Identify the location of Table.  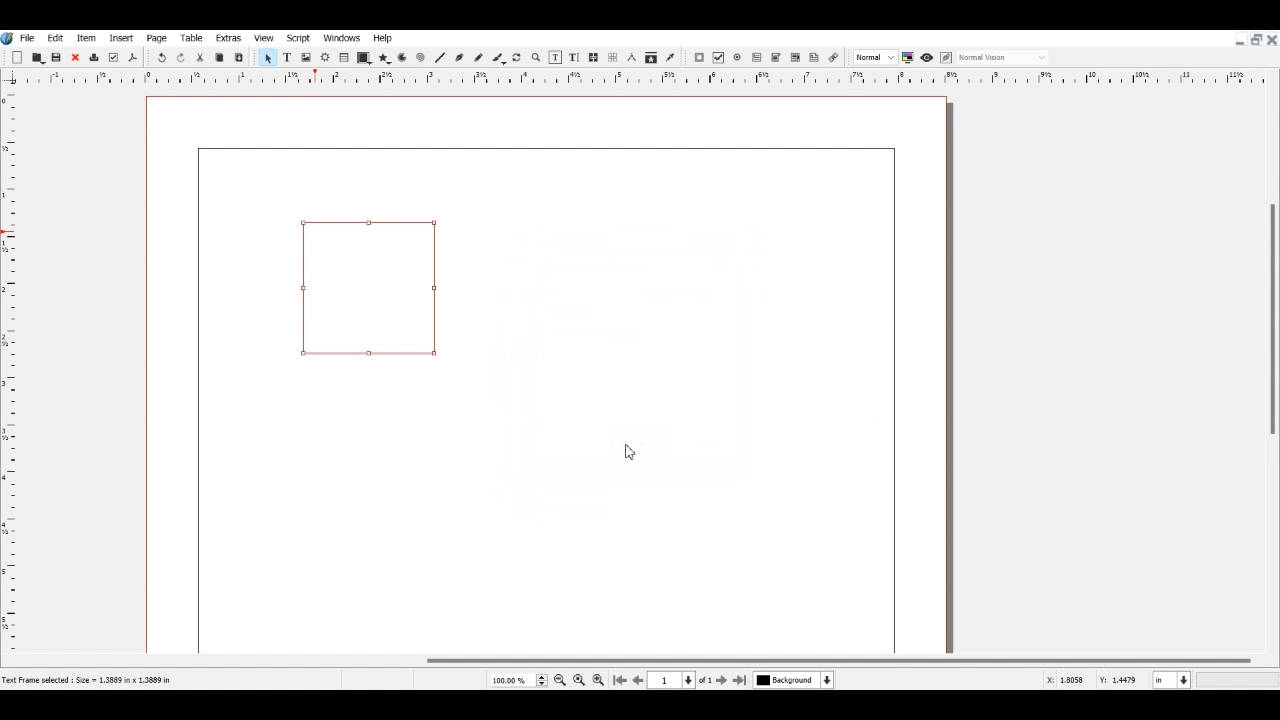
(191, 38).